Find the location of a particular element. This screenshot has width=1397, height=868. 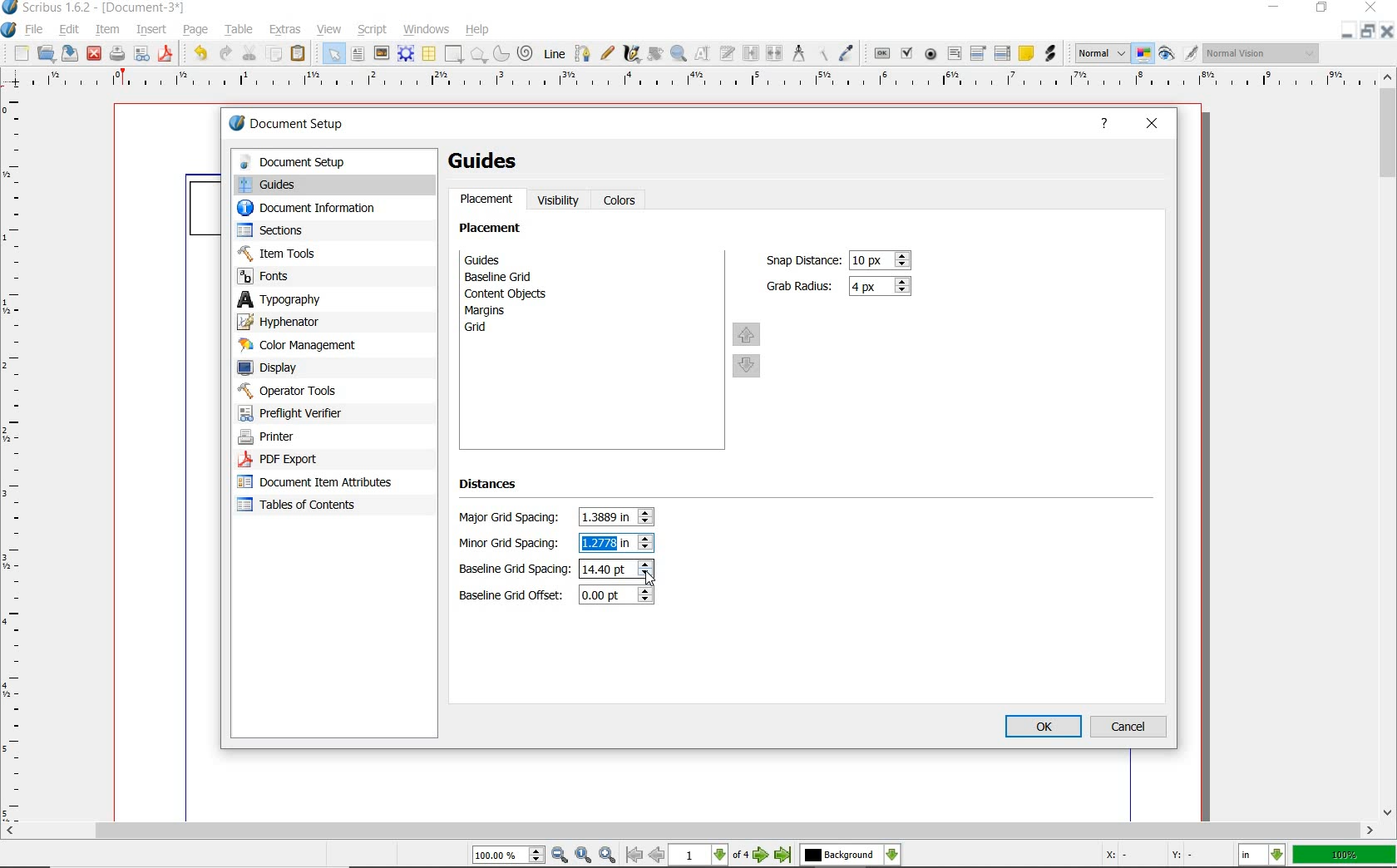

placement is located at coordinates (487, 201).